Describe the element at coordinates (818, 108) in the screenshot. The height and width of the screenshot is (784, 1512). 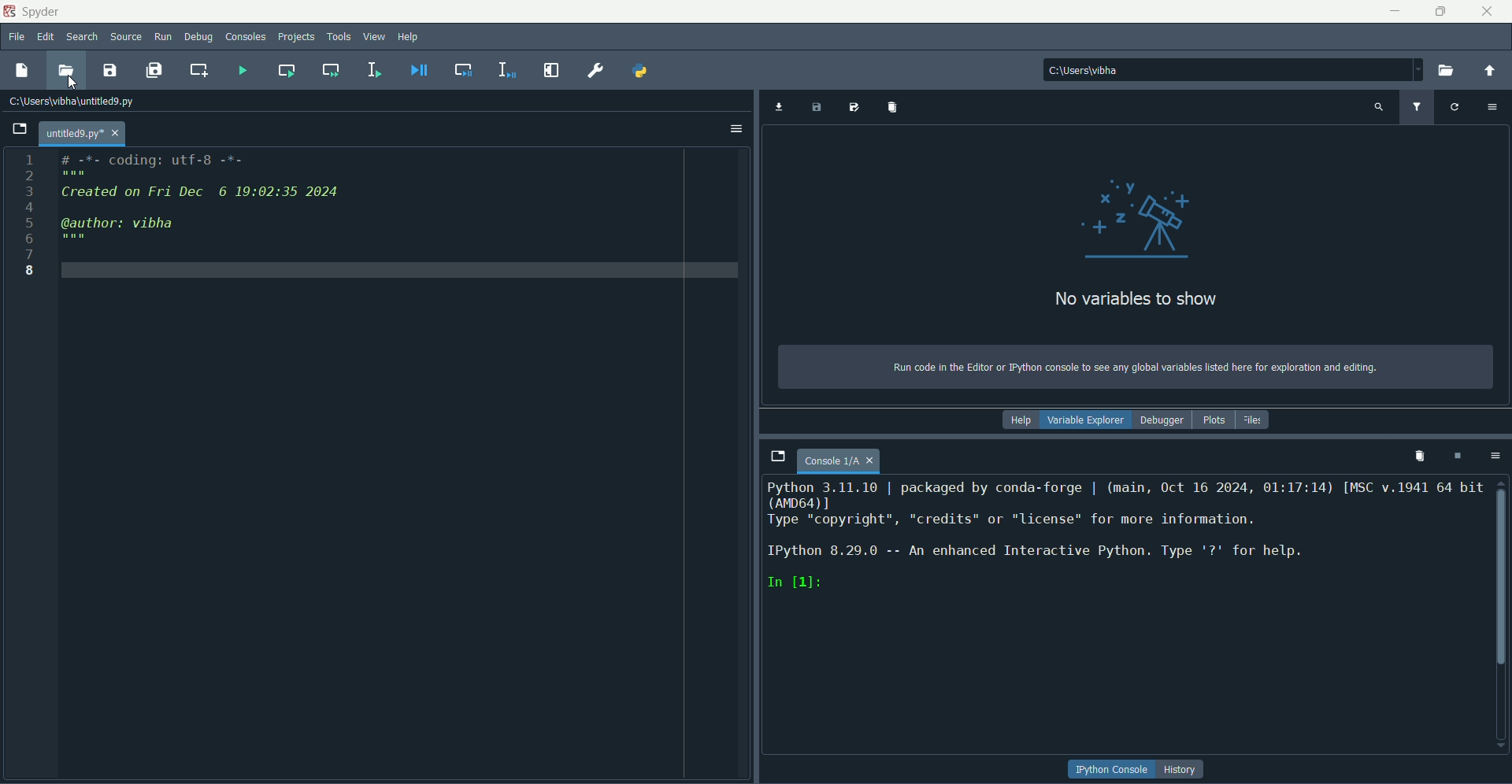
I see `save data` at that location.